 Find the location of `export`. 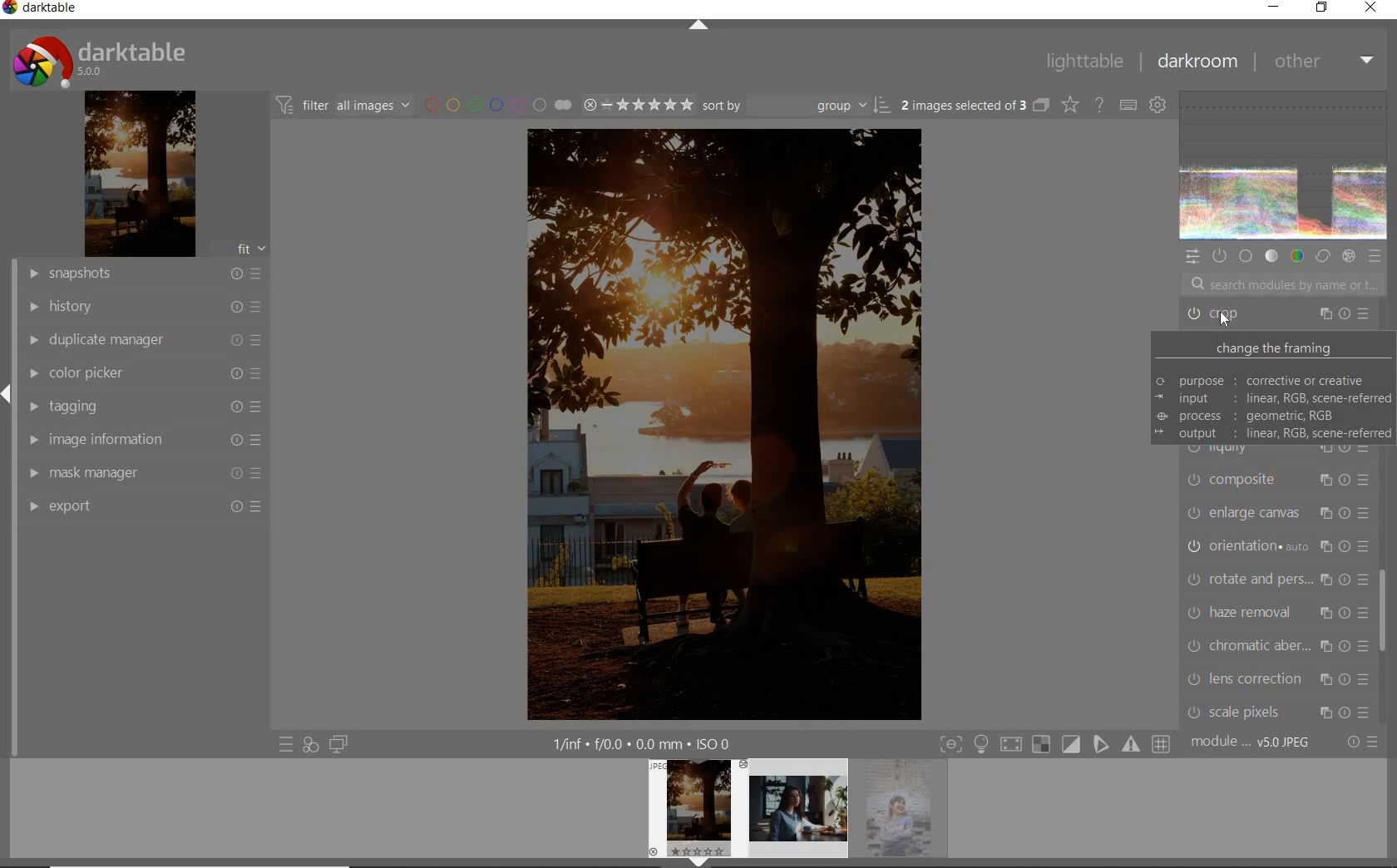

export is located at coordinates (143, 506).